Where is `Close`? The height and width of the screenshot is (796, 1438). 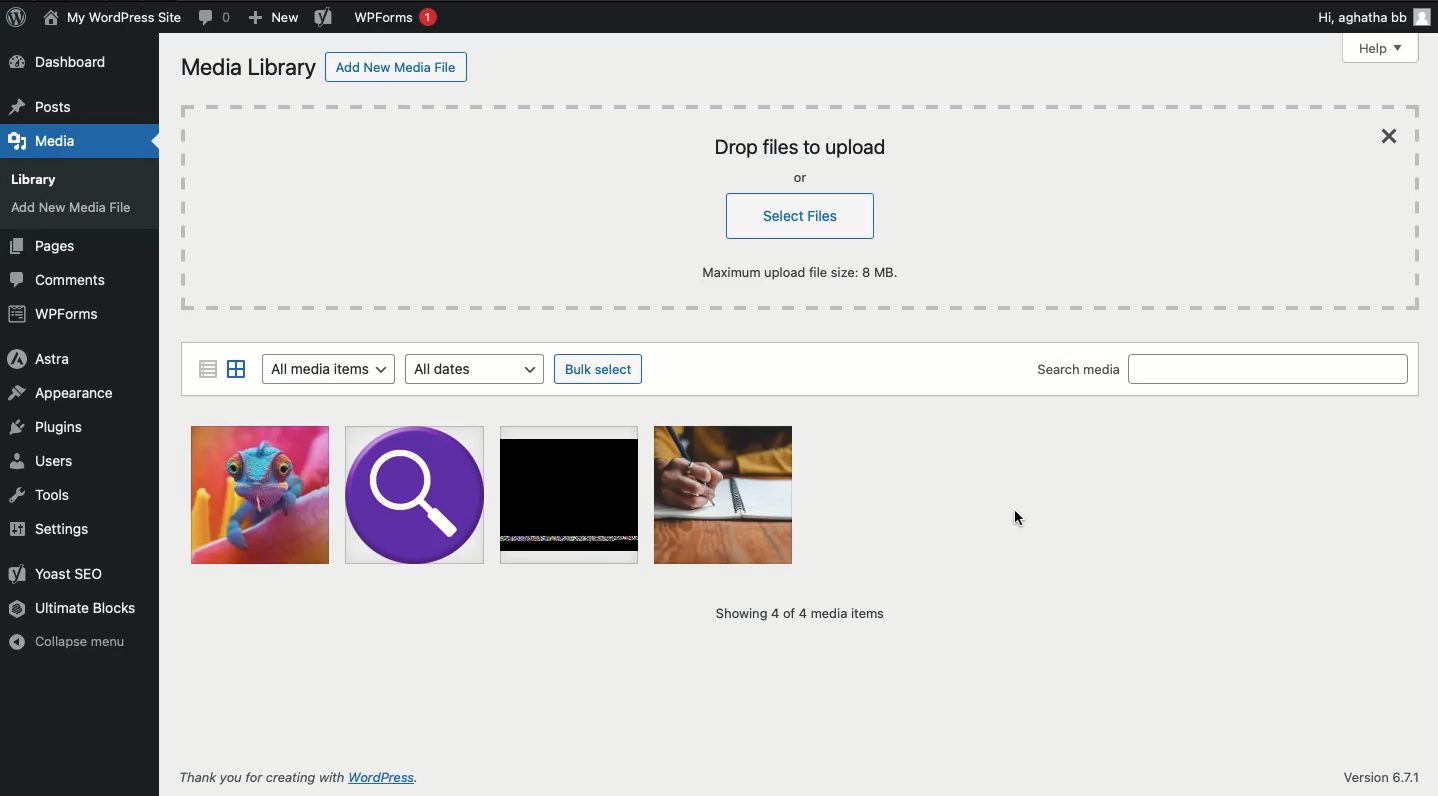
Close is located at coordinates (1393, 136).